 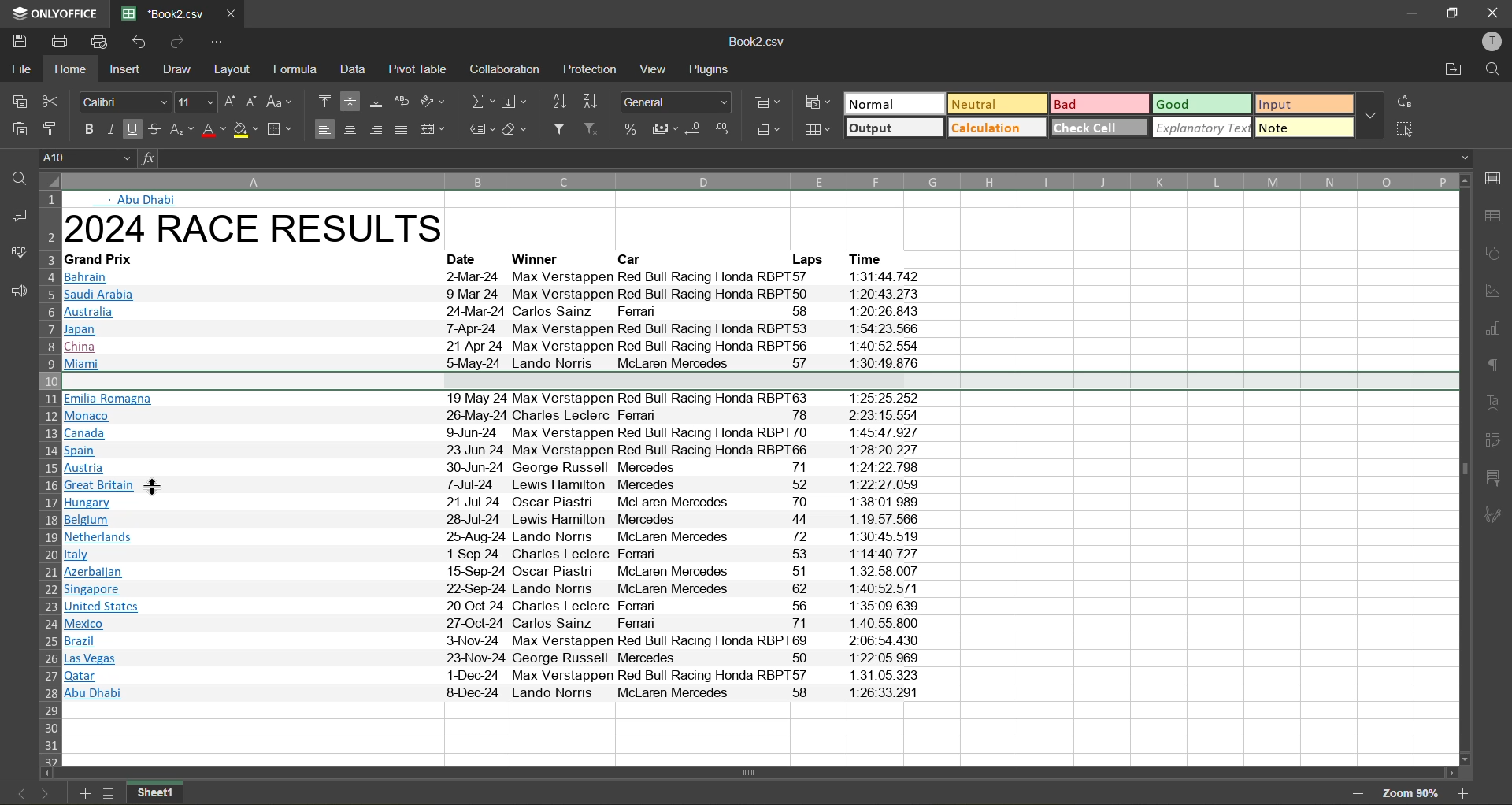 I want to click on increment size, so click(x=230, y=102).